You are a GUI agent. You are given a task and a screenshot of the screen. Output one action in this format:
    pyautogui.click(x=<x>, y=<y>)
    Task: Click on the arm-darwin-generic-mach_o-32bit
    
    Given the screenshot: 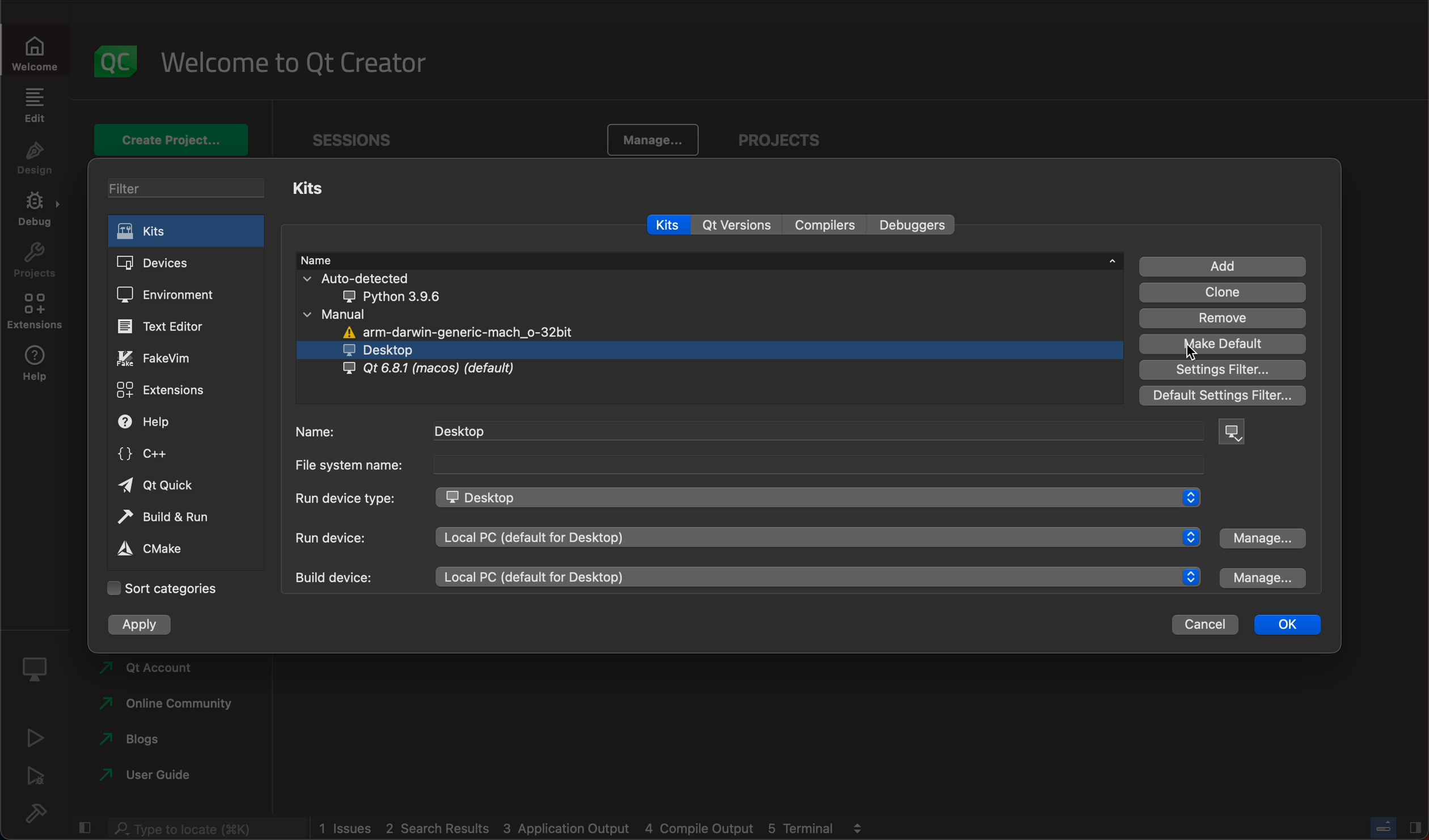 What is the action you would take?
    pyautogui.click(x=458, y=332)
    